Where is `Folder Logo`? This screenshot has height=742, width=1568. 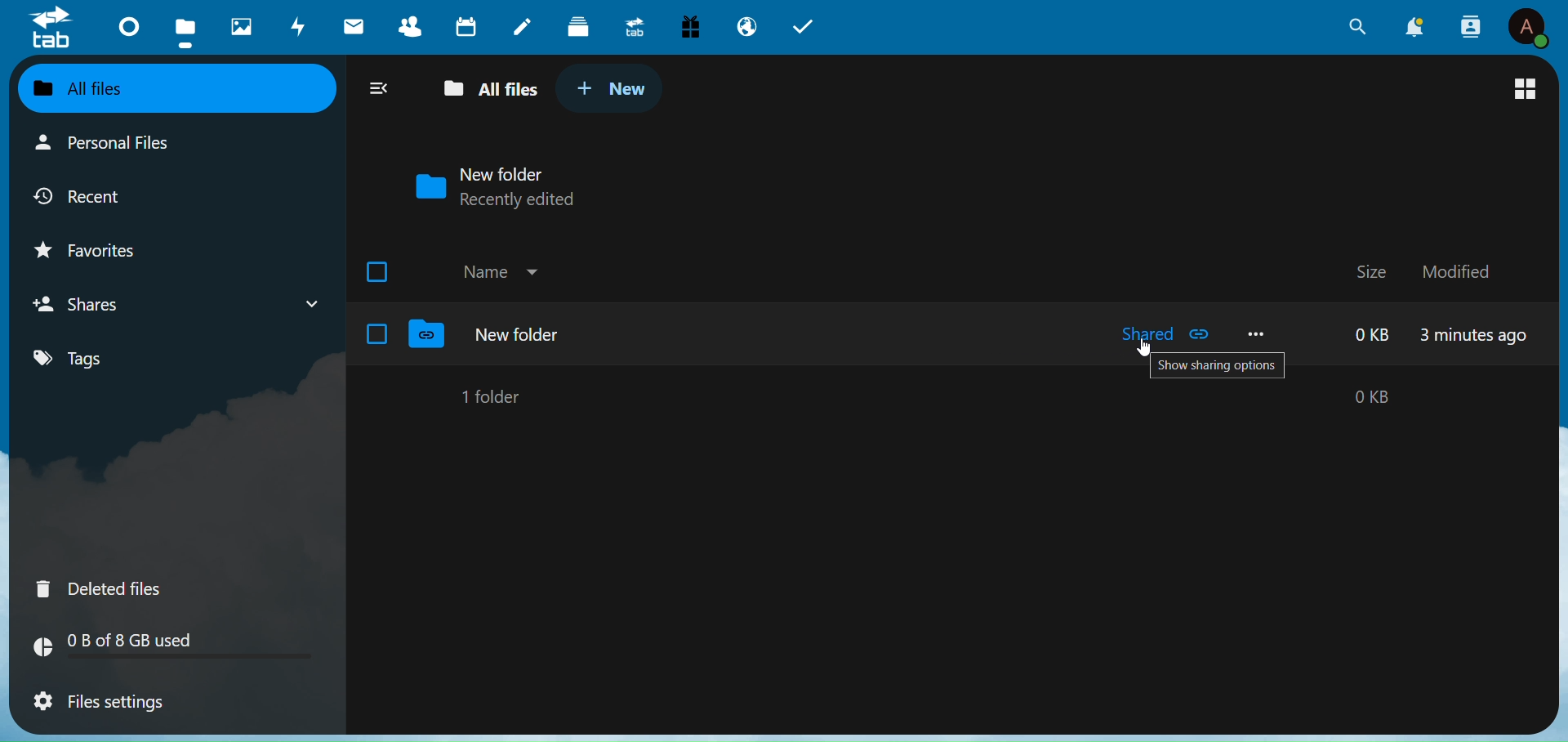 Folder Logo is located at coordinates (428, 335).